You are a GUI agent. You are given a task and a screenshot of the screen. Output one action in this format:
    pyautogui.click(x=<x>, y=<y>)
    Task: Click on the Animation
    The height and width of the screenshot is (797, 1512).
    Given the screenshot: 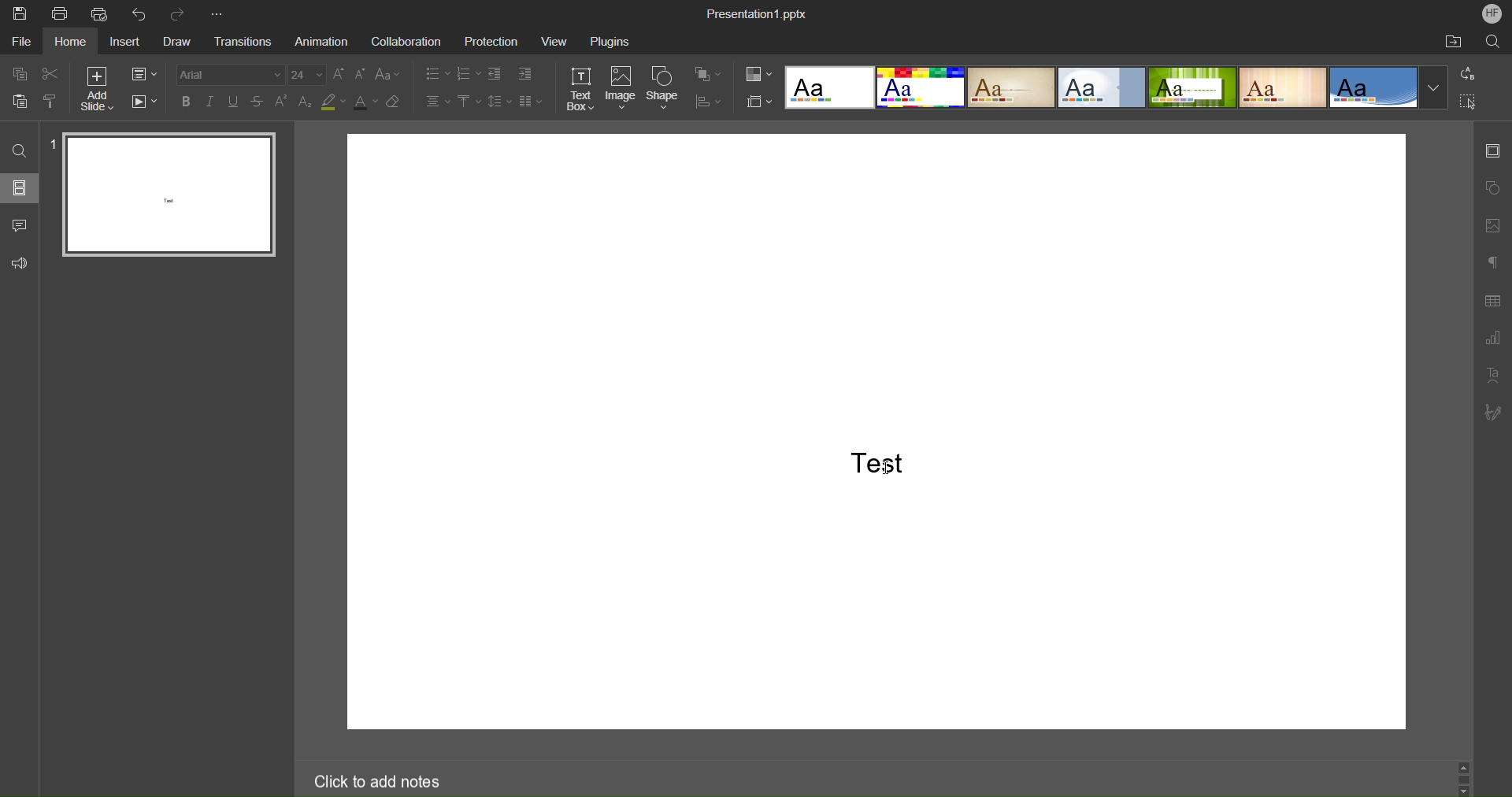 What is the action you would take?
    pyautogui.click(x=323, y=40)
    